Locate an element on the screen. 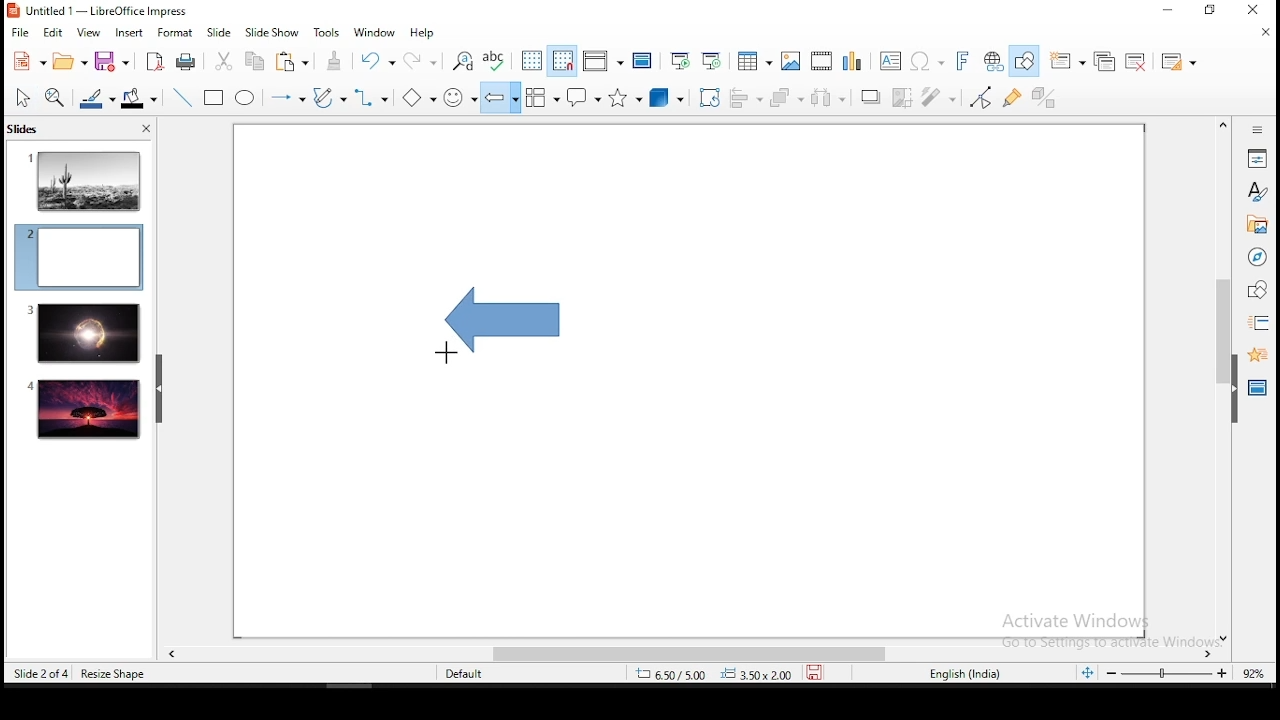  spell chech is located at coordinates (495, 59).